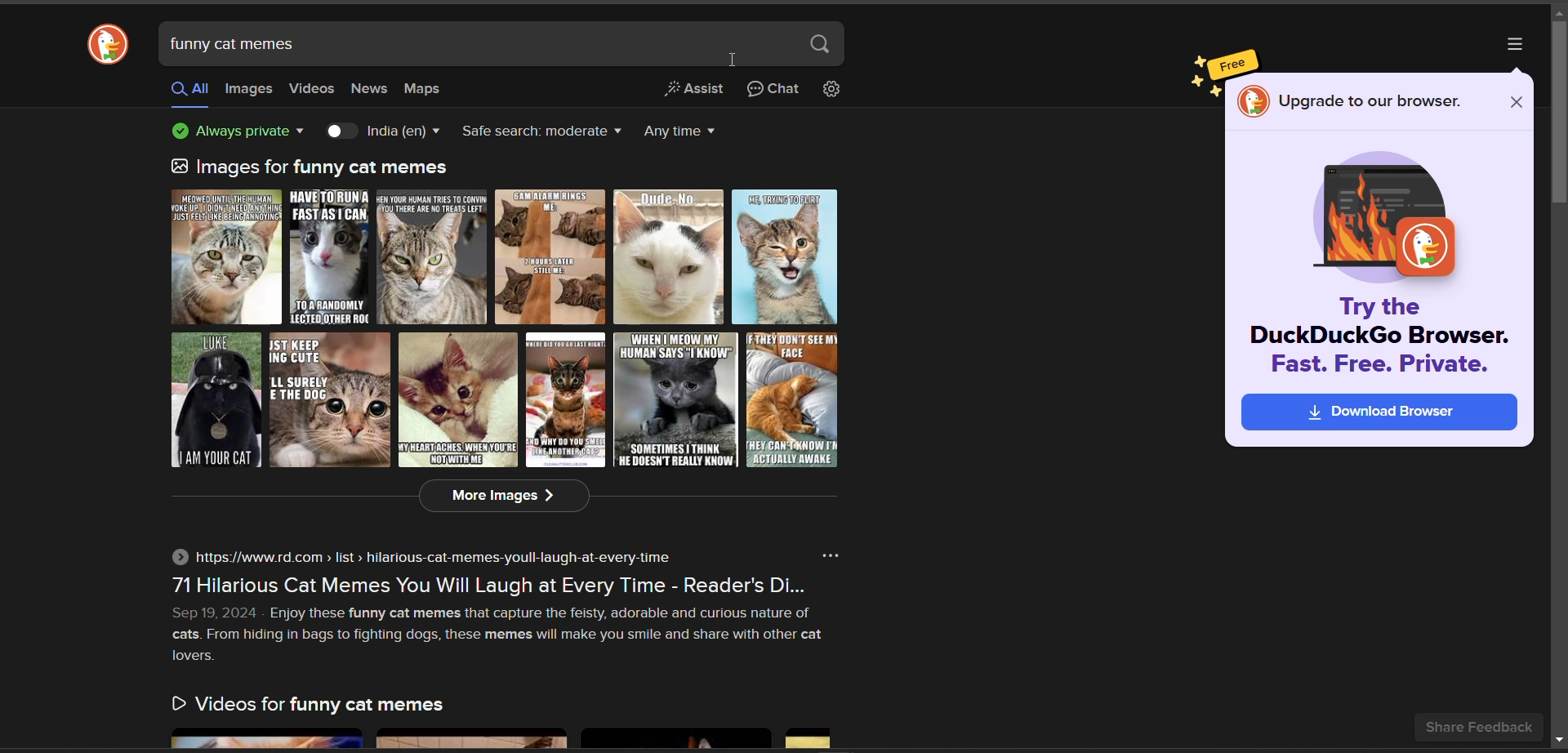  I want to click on maps, so click(425, 91).